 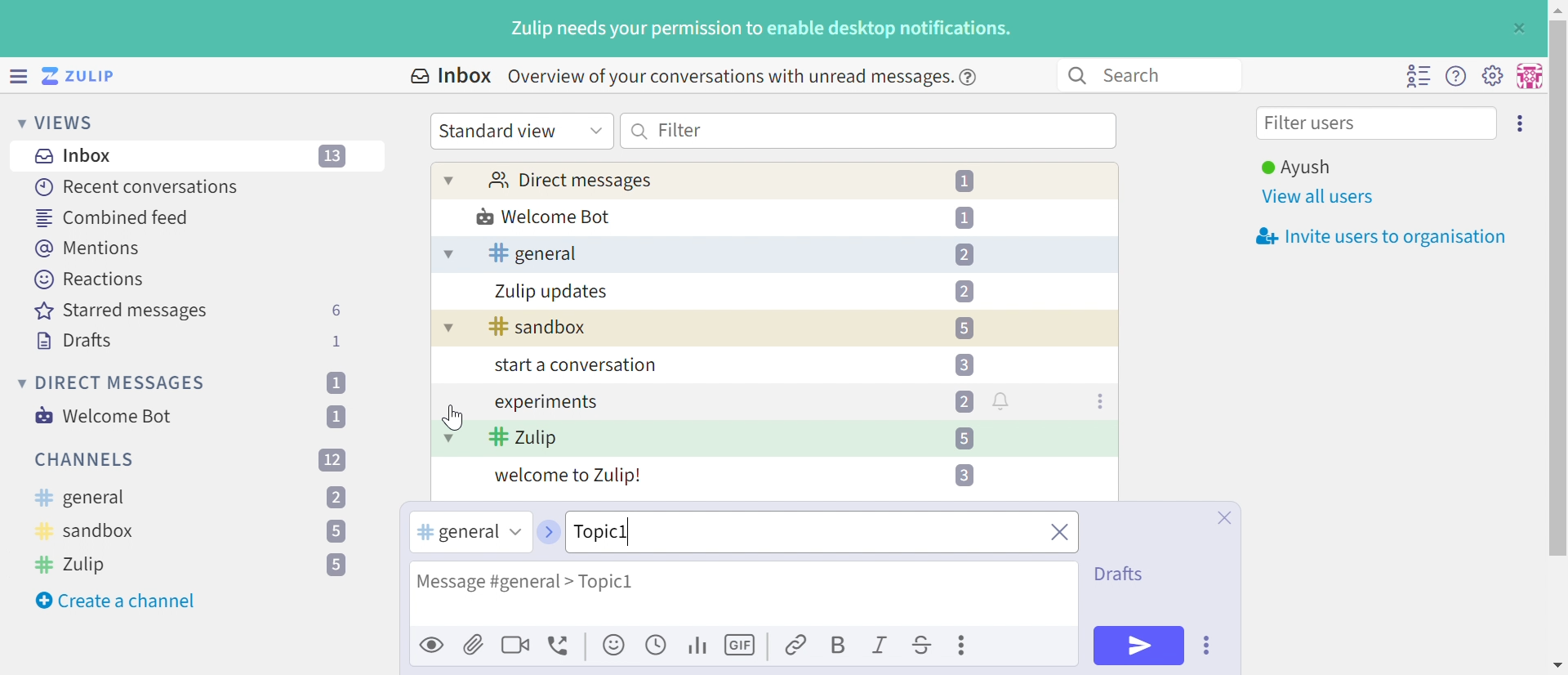 I want to click on 5, so click(x=964, y=329).